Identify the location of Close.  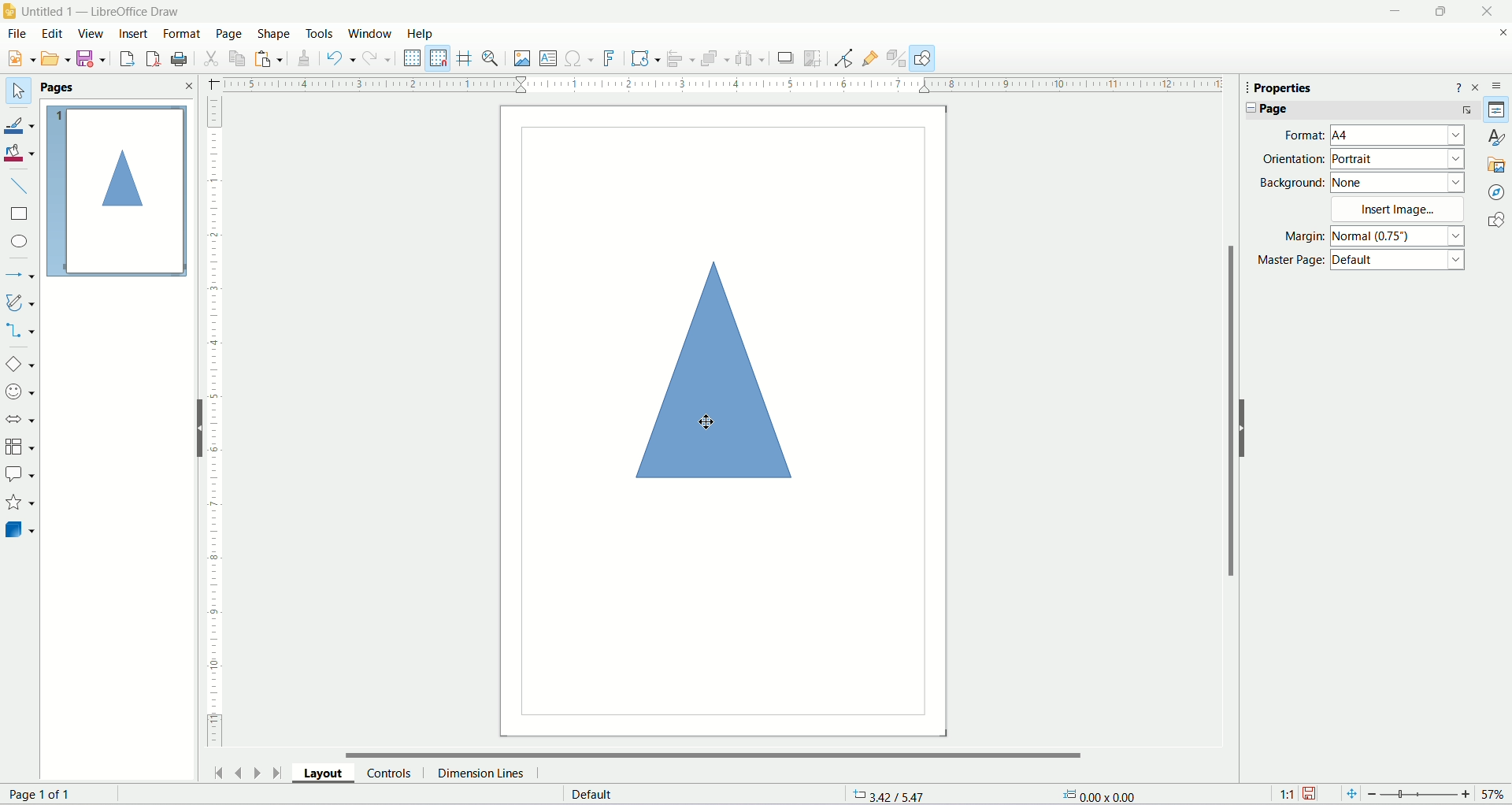
(1488, 12).